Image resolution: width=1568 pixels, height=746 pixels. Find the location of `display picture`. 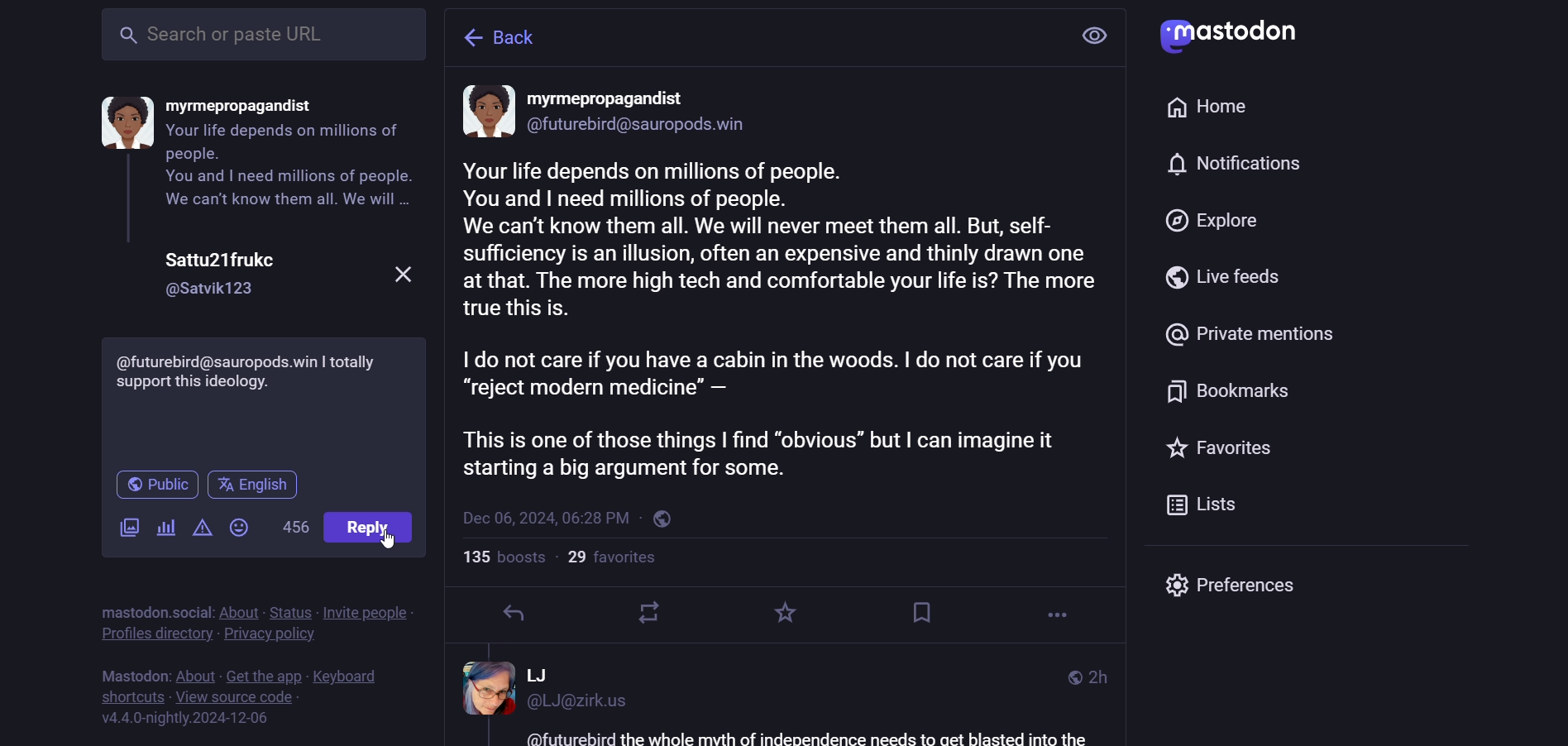

display picture is located at coordinates (485, 112).